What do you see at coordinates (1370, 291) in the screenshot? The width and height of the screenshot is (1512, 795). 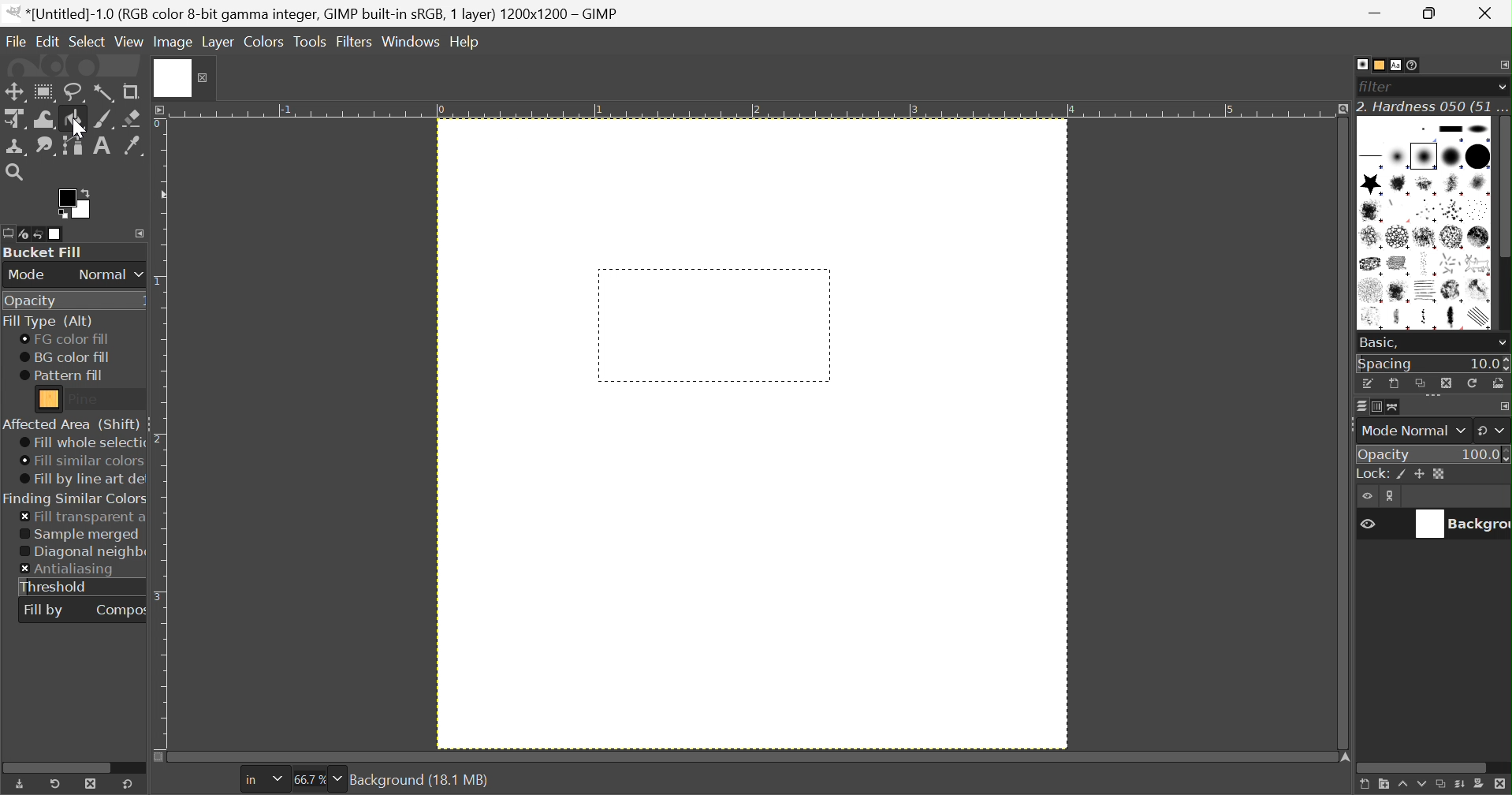 I see `Grass` at bounding box center [1370, 291].